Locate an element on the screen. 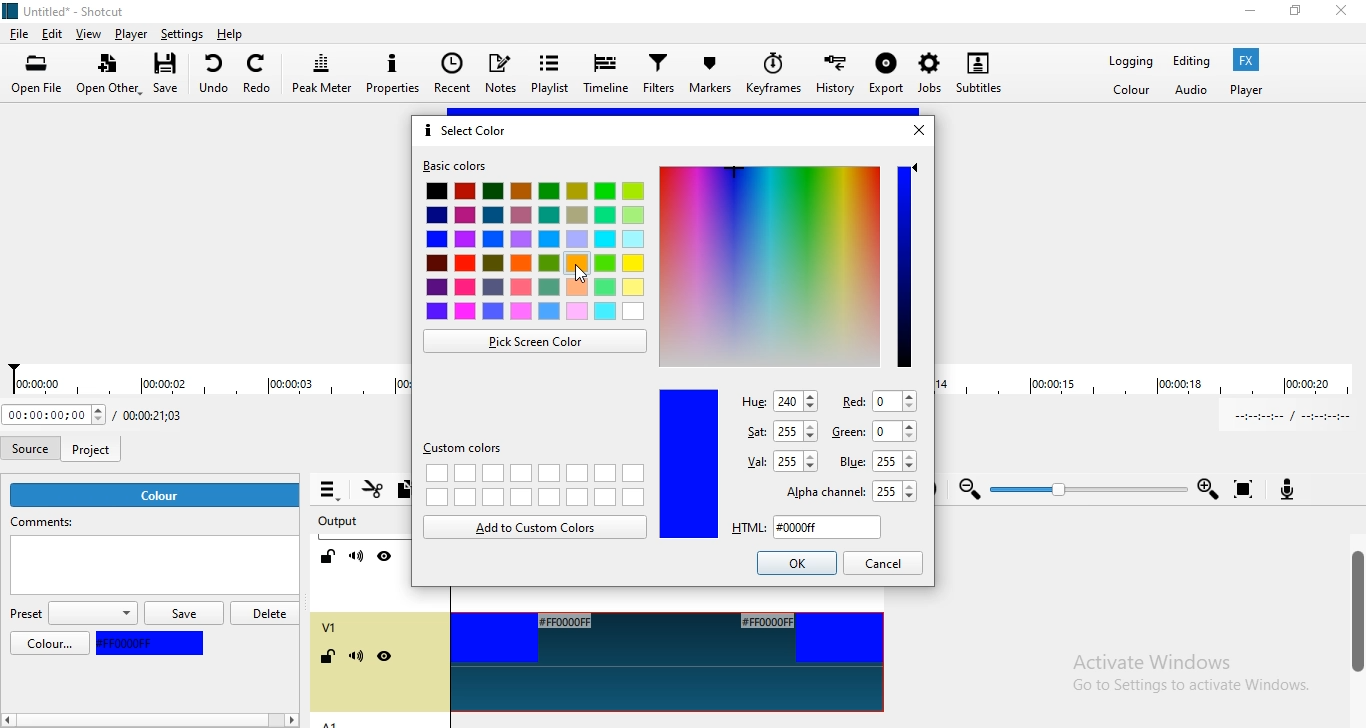 Image resolution: width=1366 pixels, height=728 pixels. empty boxes is located at coordinates (534, 484).